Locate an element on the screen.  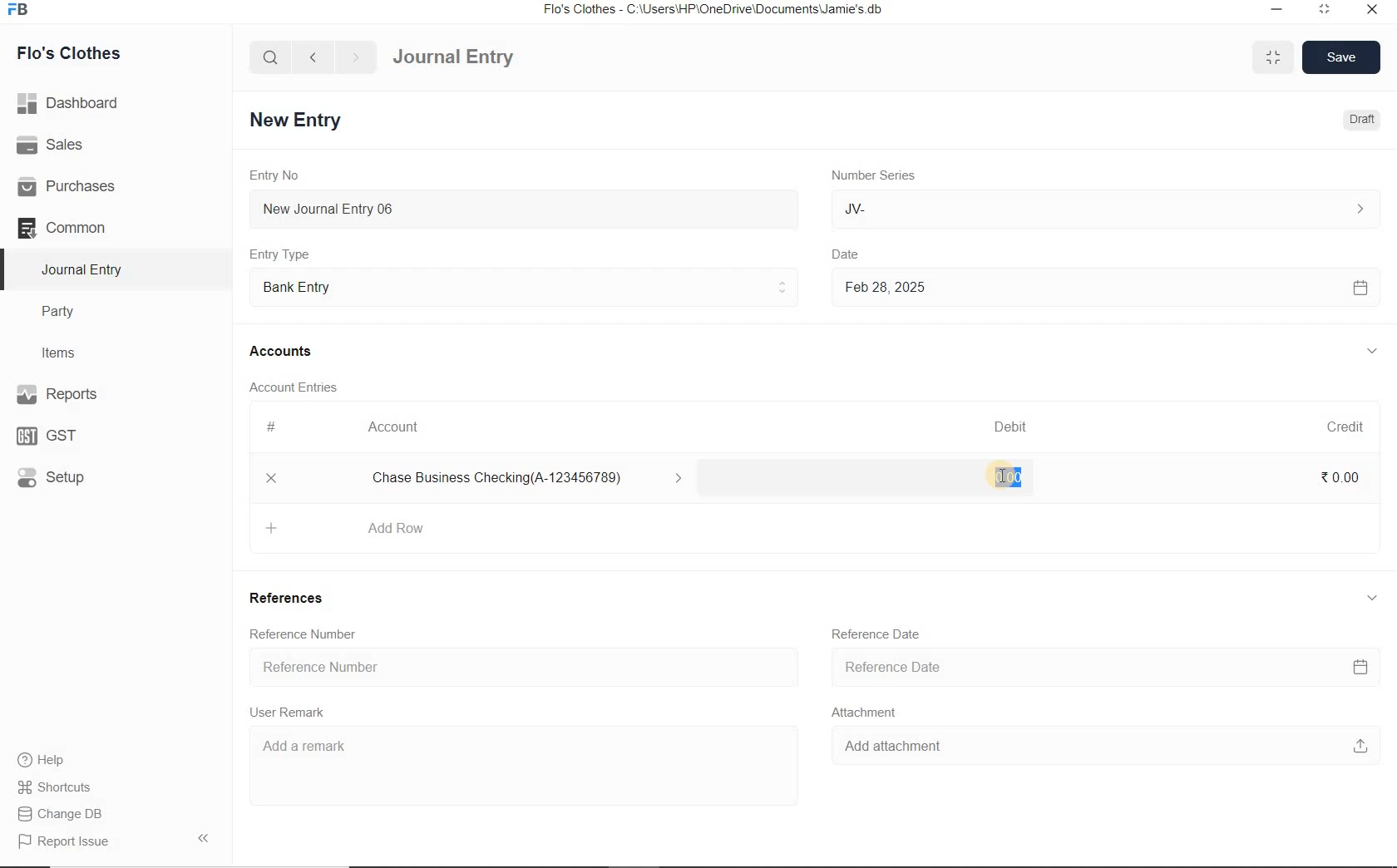
GST is located at coordinates (54, 434).